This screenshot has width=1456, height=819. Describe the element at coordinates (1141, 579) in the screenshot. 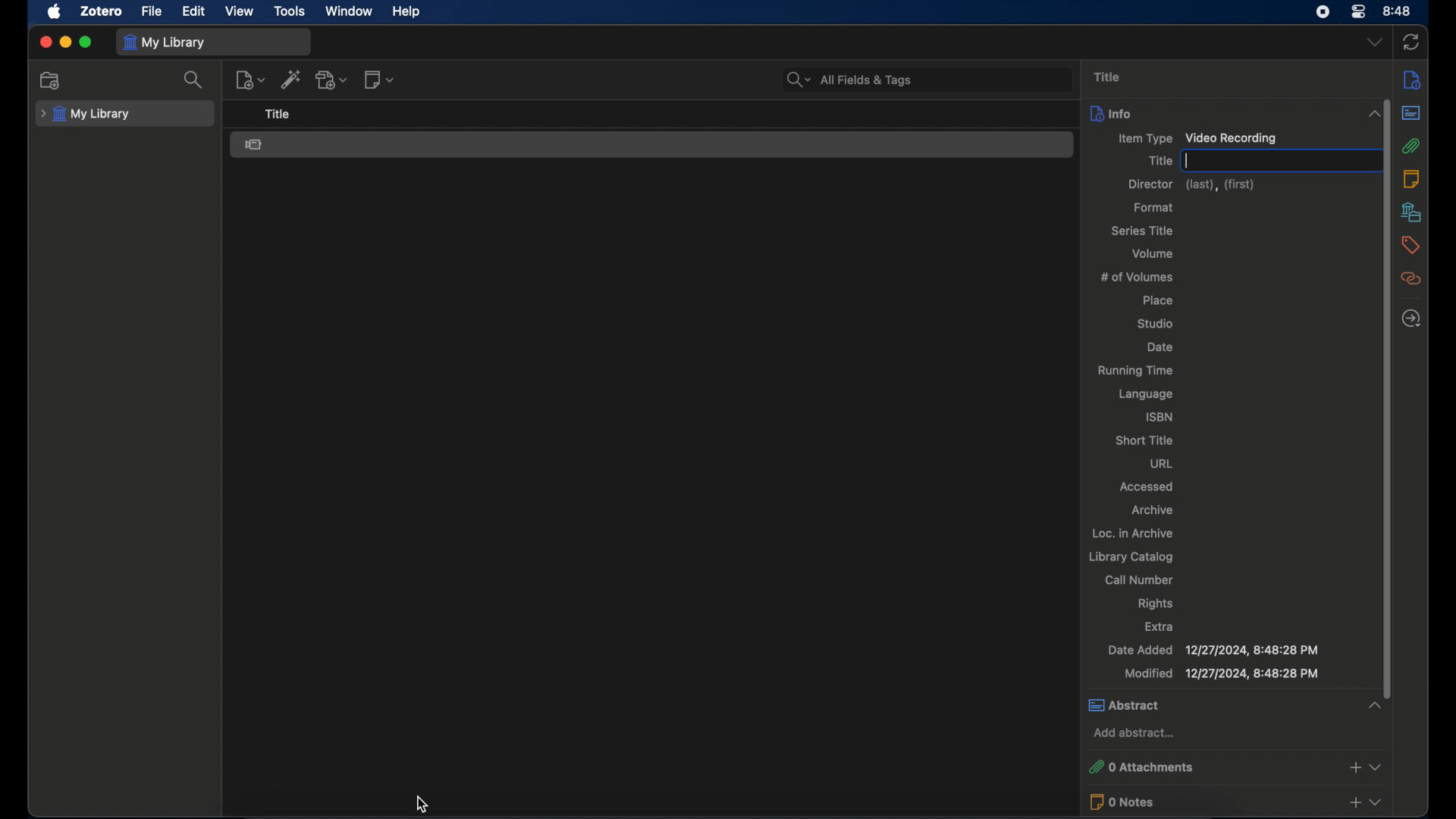

I see `call number` at that location.